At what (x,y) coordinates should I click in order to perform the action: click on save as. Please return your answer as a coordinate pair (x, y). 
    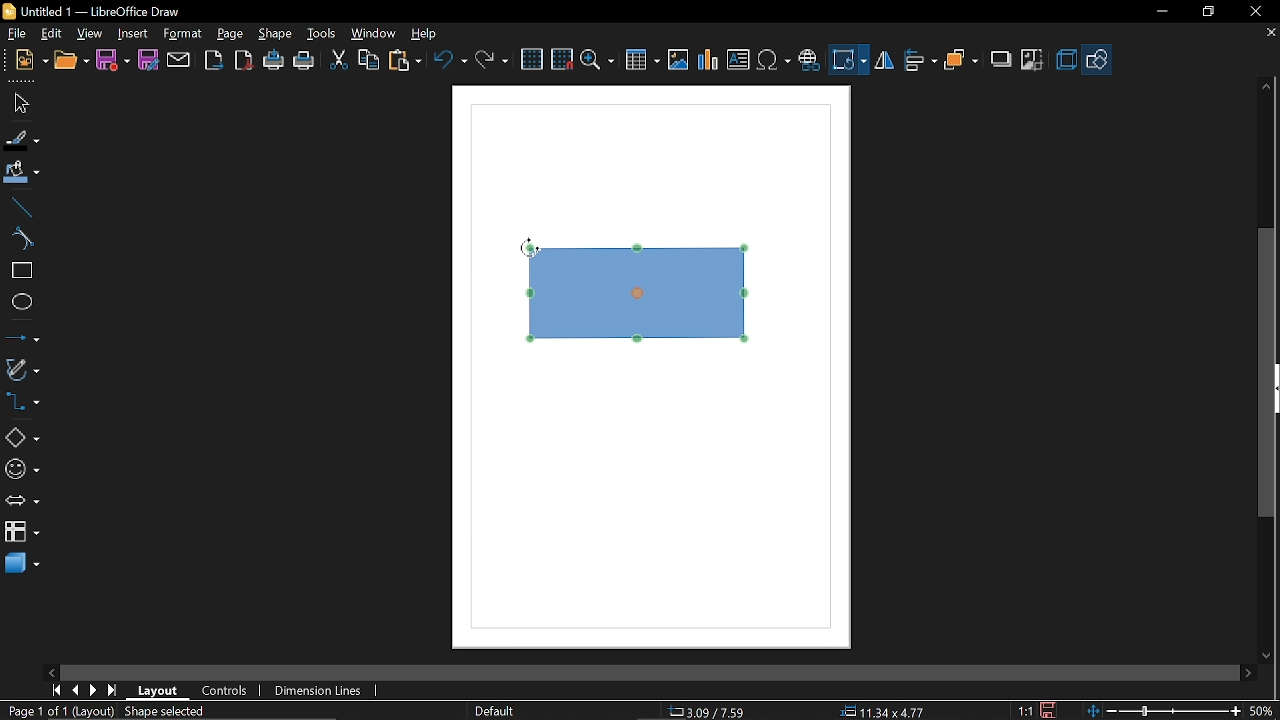
    Looking at the image, I should click on (148, 60).